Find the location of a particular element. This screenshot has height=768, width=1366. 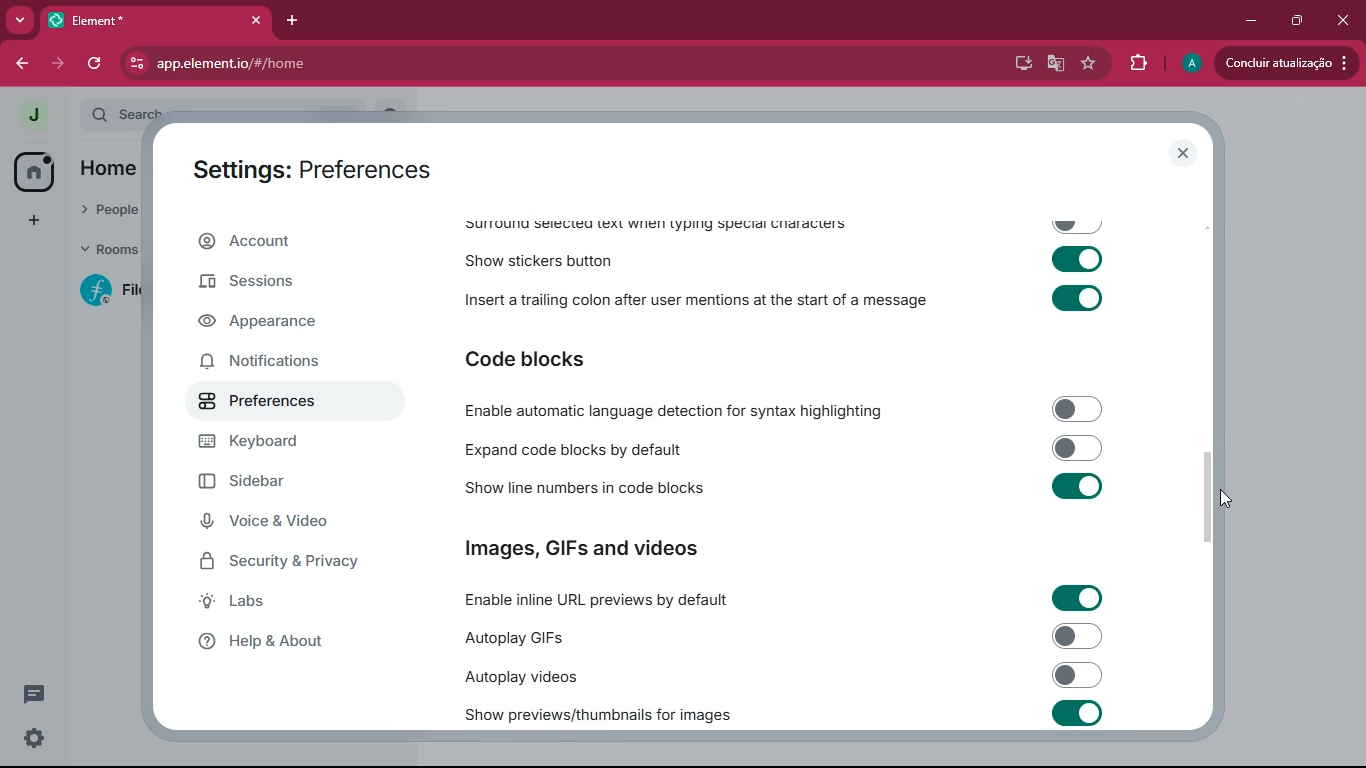

favourite  is located at coordinates (1087, 65).